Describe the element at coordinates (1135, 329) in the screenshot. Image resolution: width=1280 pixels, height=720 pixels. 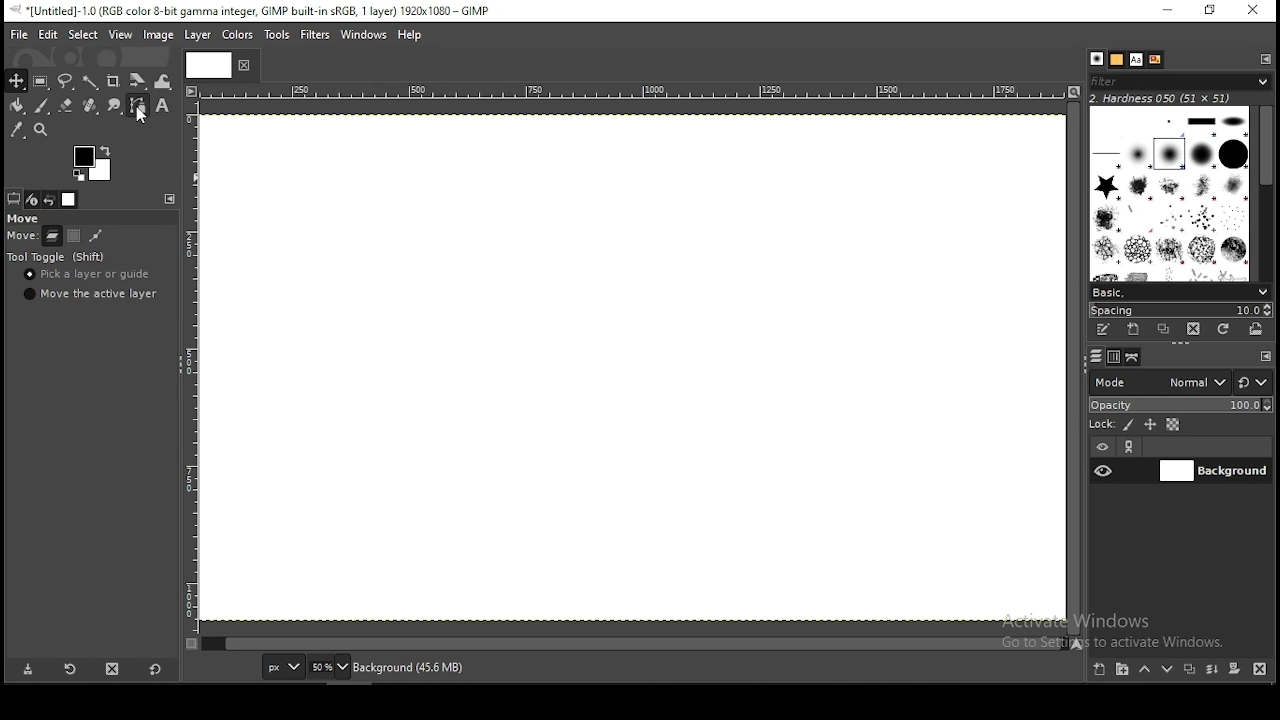
I see `create a new brush` at that location.